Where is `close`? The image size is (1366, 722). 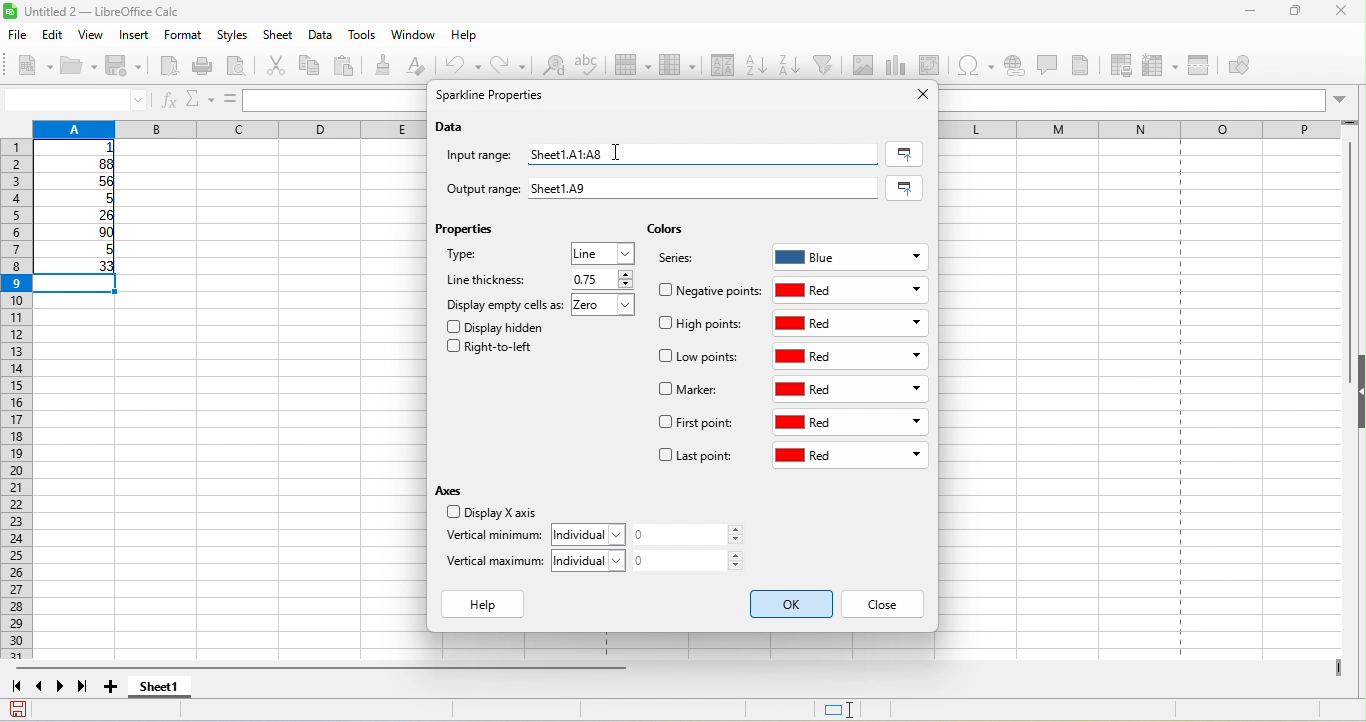
close is located at coordinates (1342, 13).